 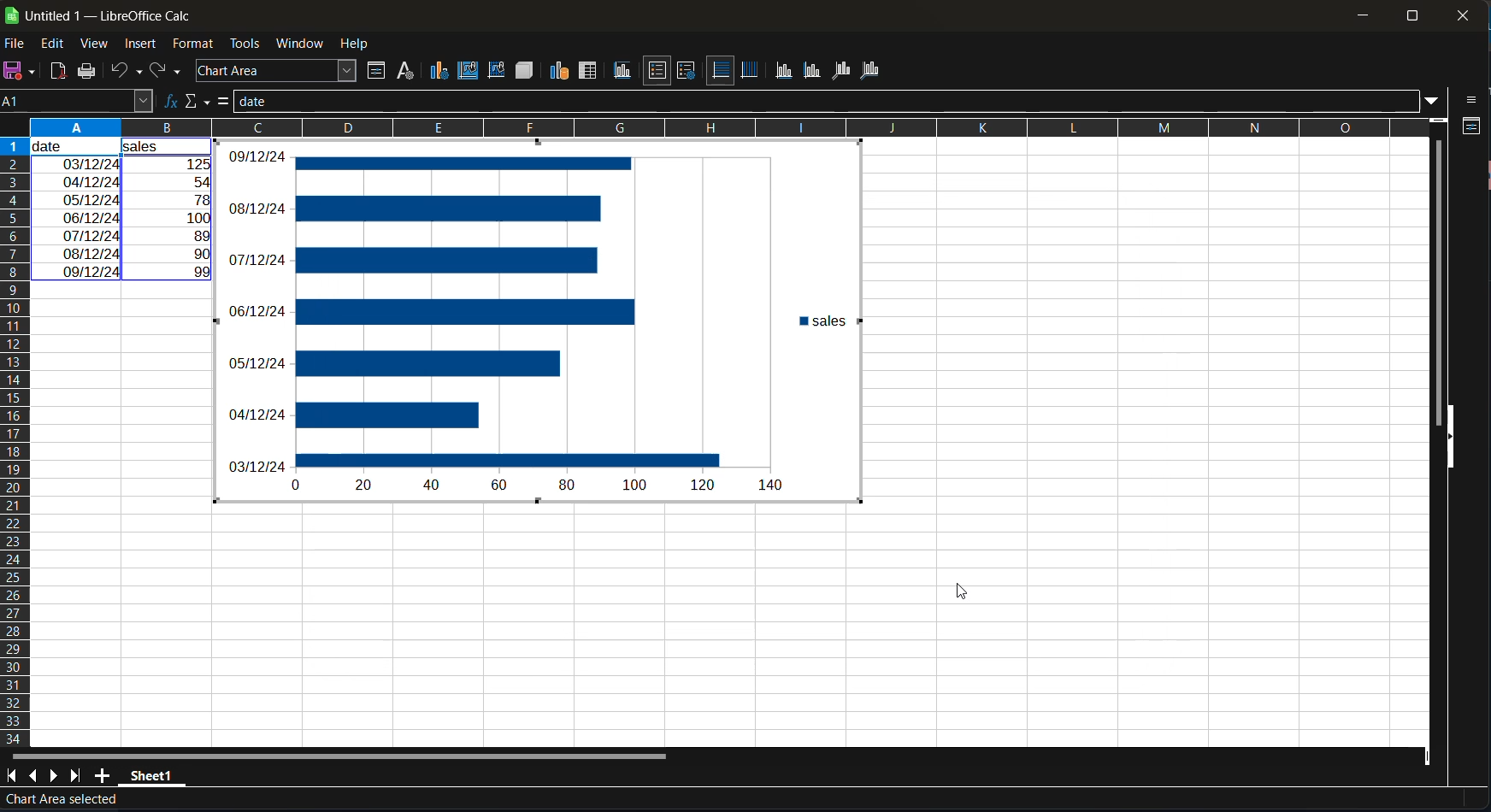 I want to click on chart type, so click(x=439, y=70).